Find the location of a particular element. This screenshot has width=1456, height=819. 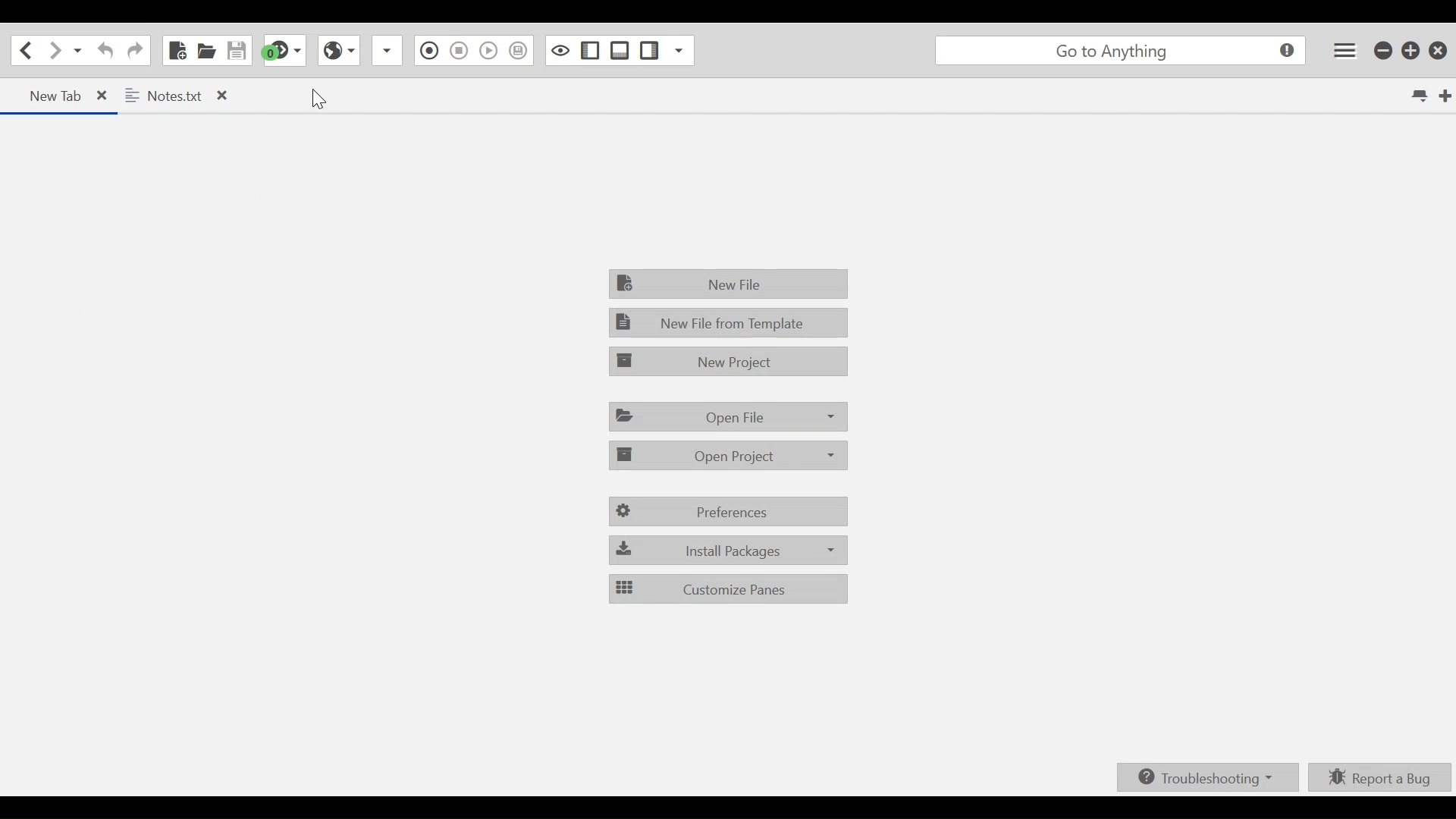

Open Tab is located at coordinates (180, 96).